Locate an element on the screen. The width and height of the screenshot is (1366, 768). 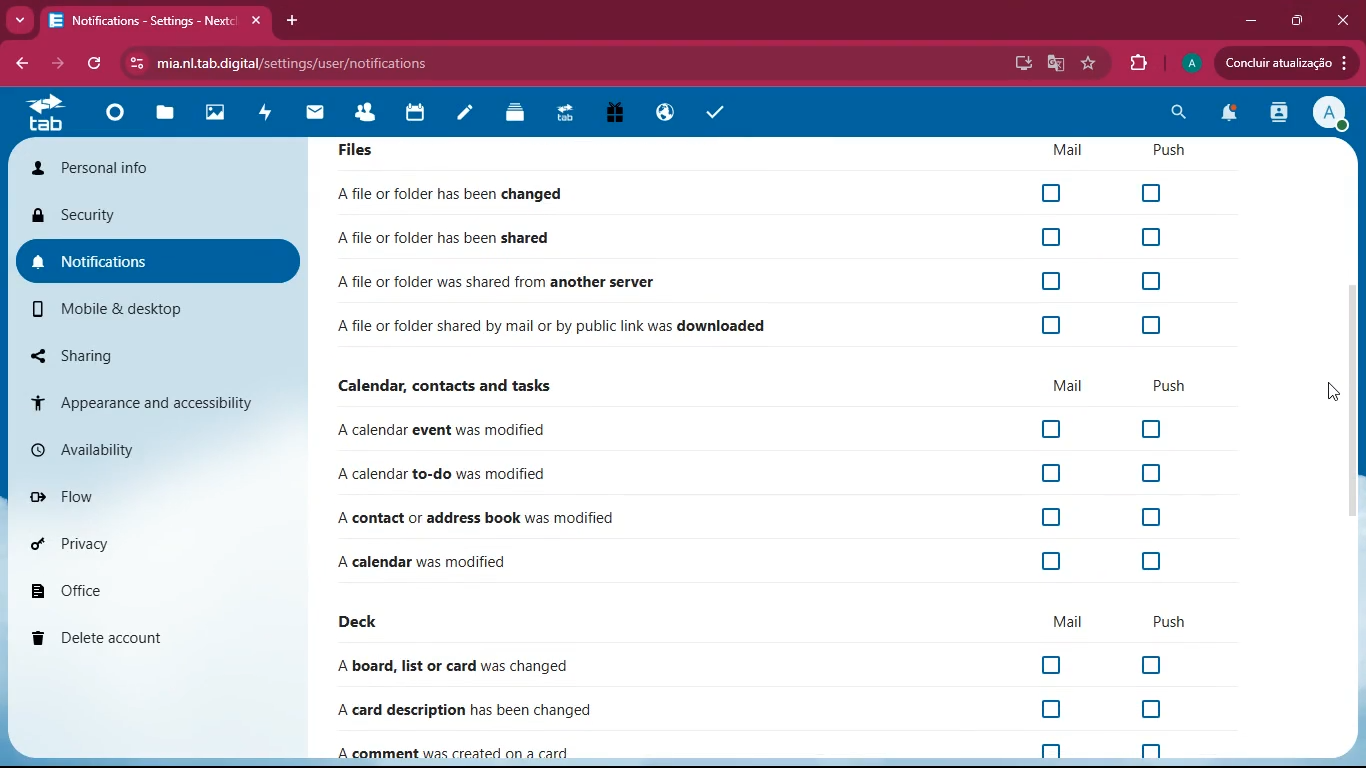
Checkbox is located at coordinates (1049, 327).